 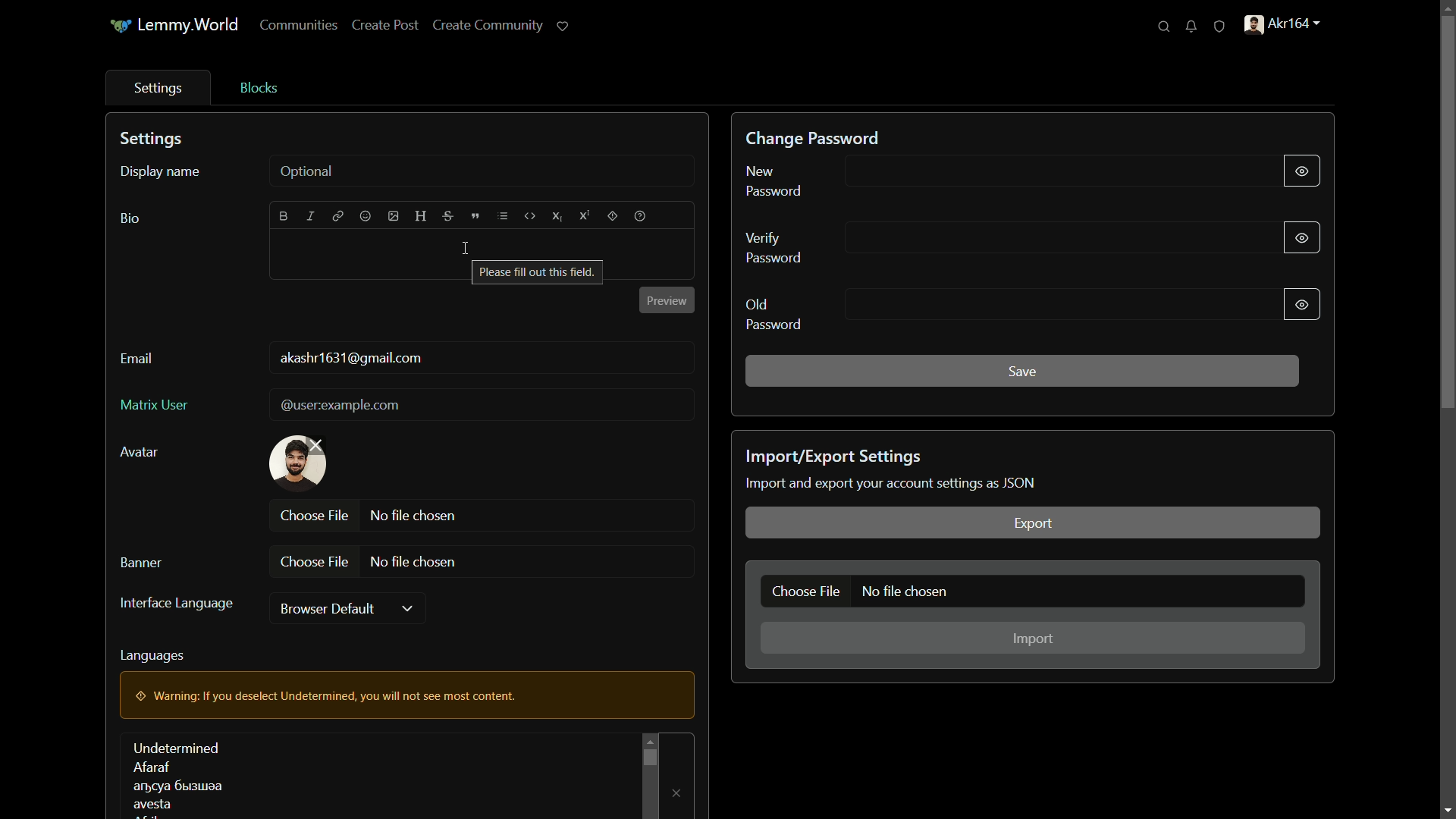 What do you see at coordinates (557, 217) in the screenshot?
I see `subscript` at bounding box center [557, 217].